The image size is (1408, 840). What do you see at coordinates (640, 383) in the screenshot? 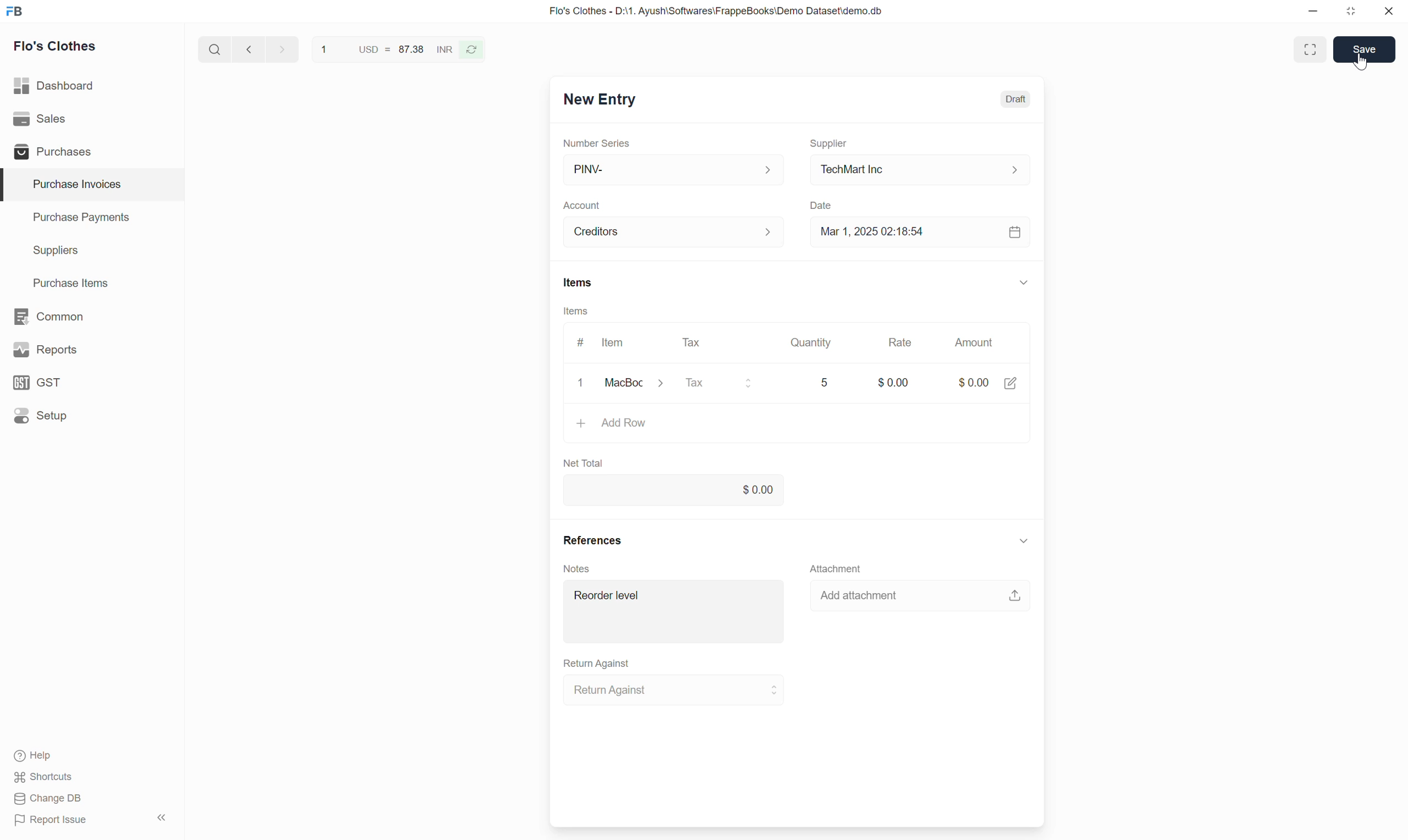
I see `MacBook` at bounding box center [640, 383].